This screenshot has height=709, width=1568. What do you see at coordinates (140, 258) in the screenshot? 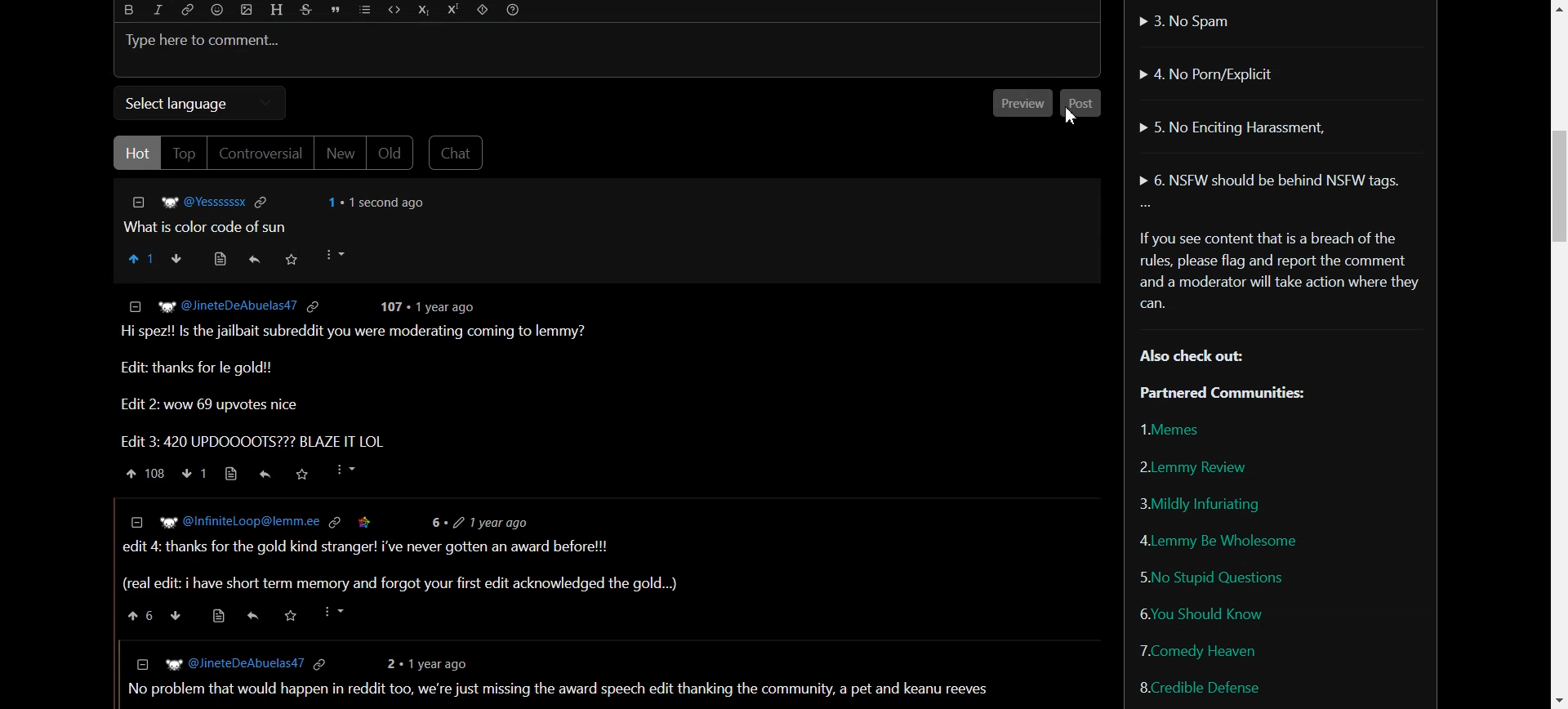
I see `Upvote` at bounding box center [140, 258].